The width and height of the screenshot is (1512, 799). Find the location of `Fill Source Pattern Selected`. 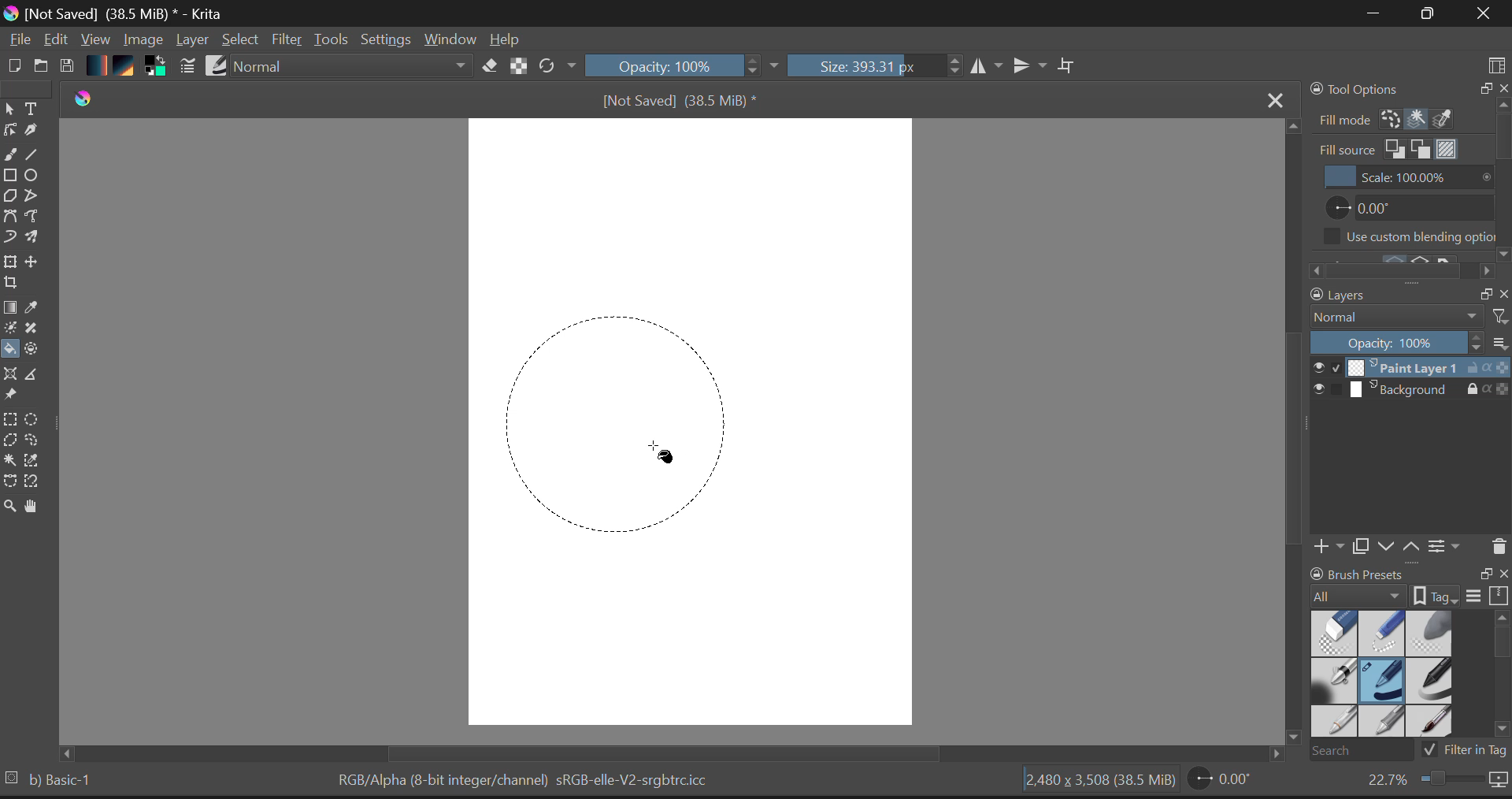

Fill Source Pattern Selected is located at coordinates (1447, 149).